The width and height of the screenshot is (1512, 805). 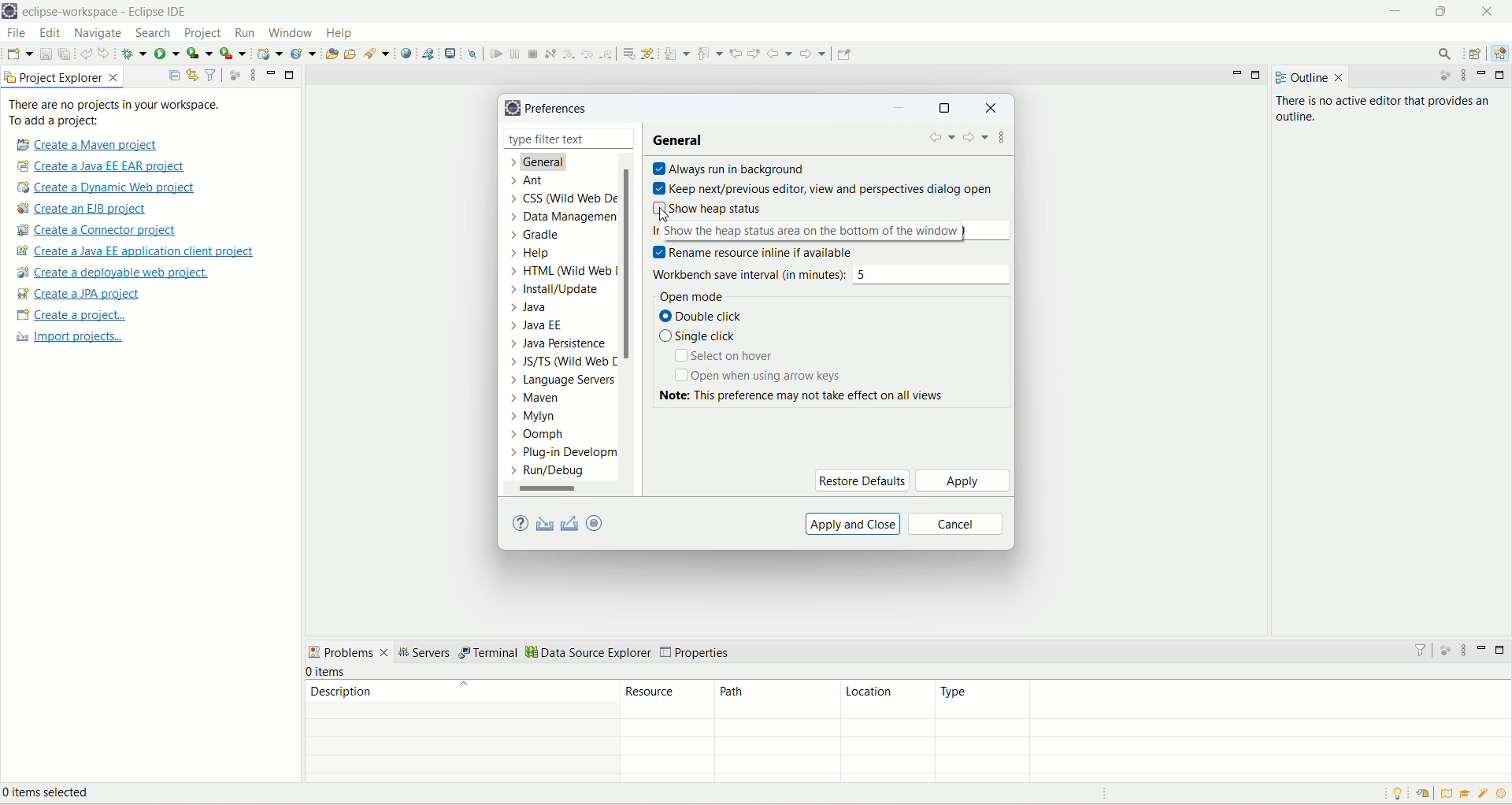 What do you see at coordinates (328, 672) in the screenshot?
I see `0 items` at bounding box center [328, 672].